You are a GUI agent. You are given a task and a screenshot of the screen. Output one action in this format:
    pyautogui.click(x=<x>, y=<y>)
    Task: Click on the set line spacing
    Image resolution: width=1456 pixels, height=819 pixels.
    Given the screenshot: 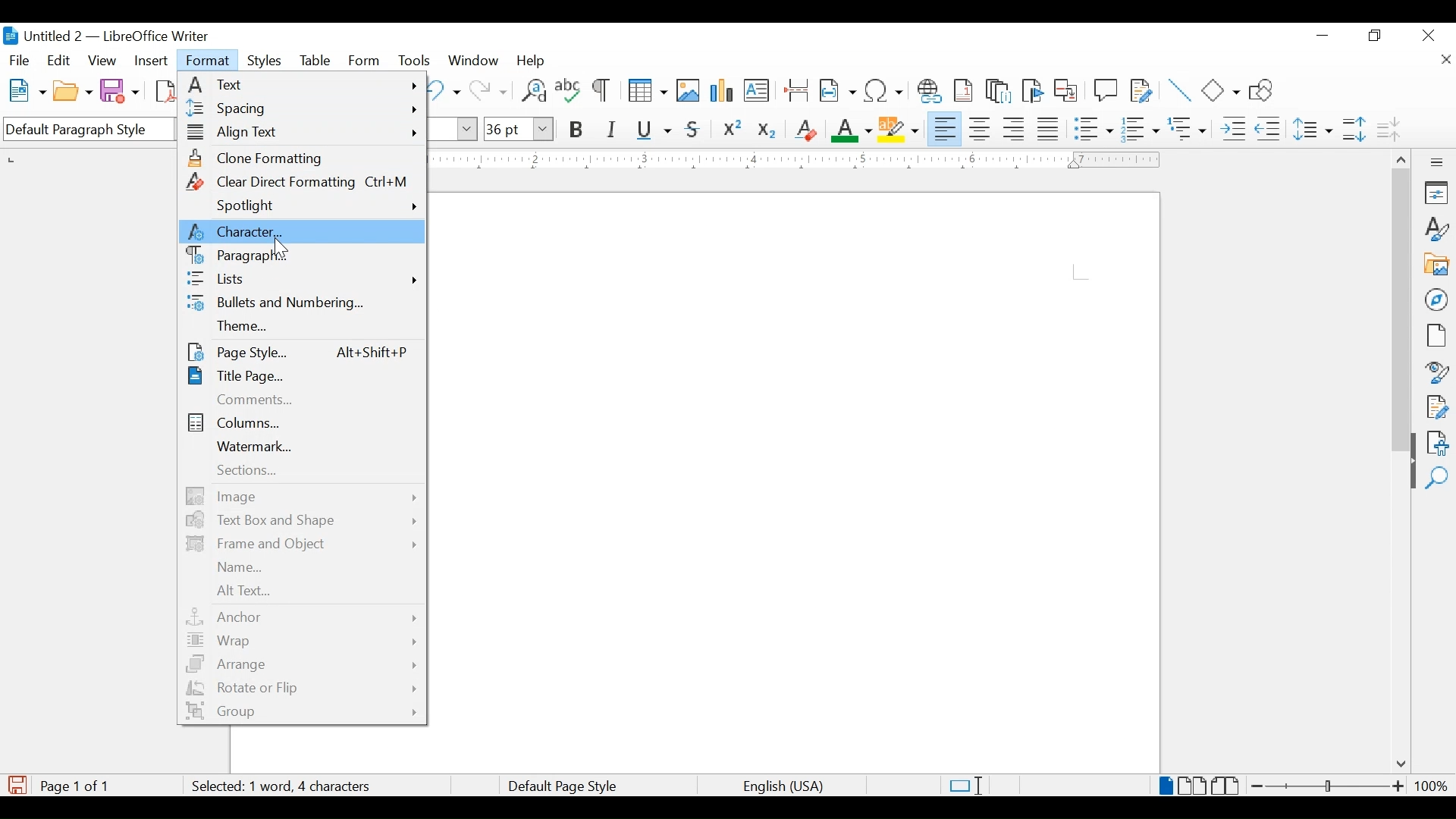 What is the action you would take?
    pyautogui.click(x=1314, y=129)
    